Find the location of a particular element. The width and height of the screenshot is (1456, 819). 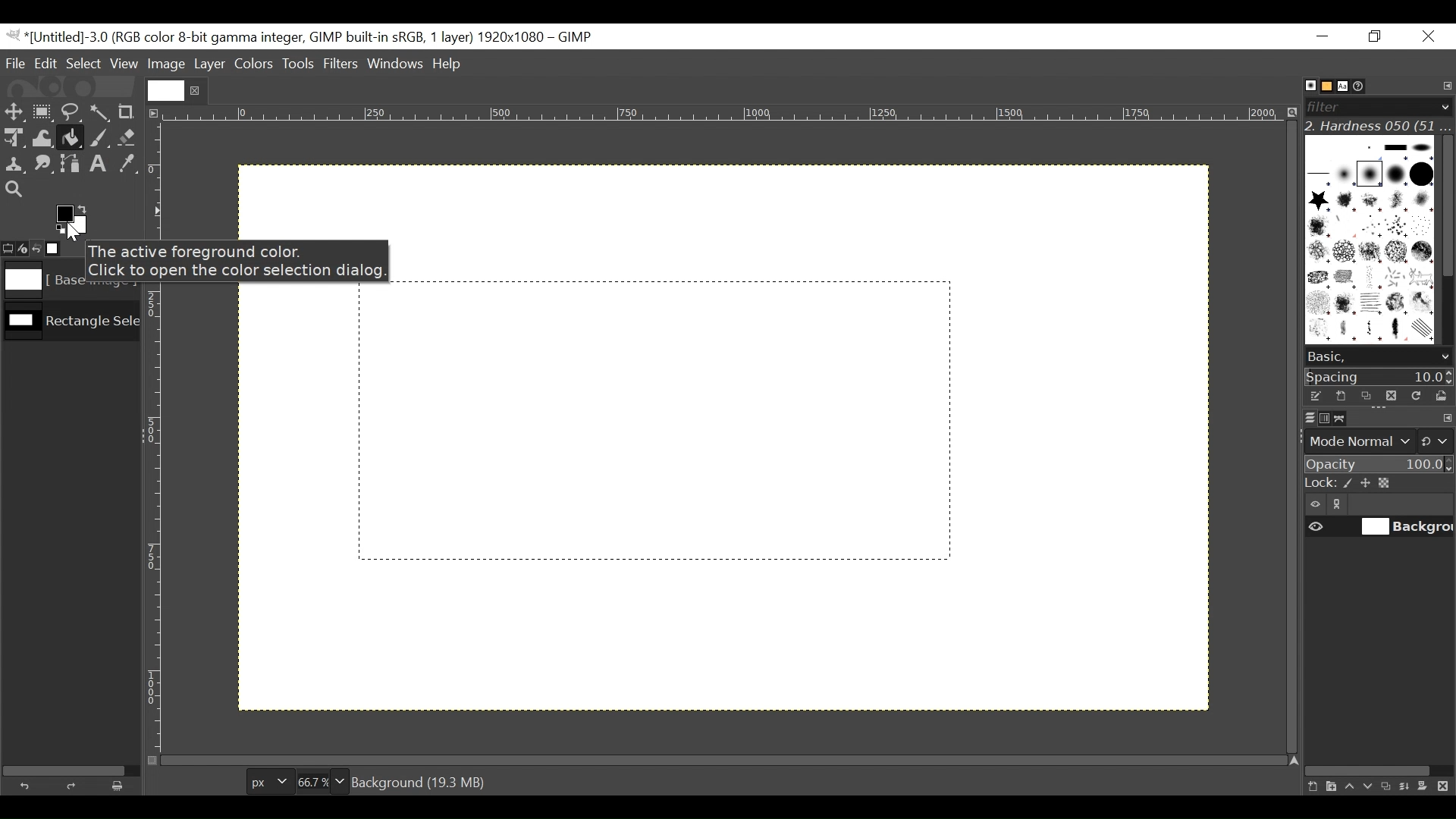

Background (19.3 MB) is located at coordinates (422, 781).